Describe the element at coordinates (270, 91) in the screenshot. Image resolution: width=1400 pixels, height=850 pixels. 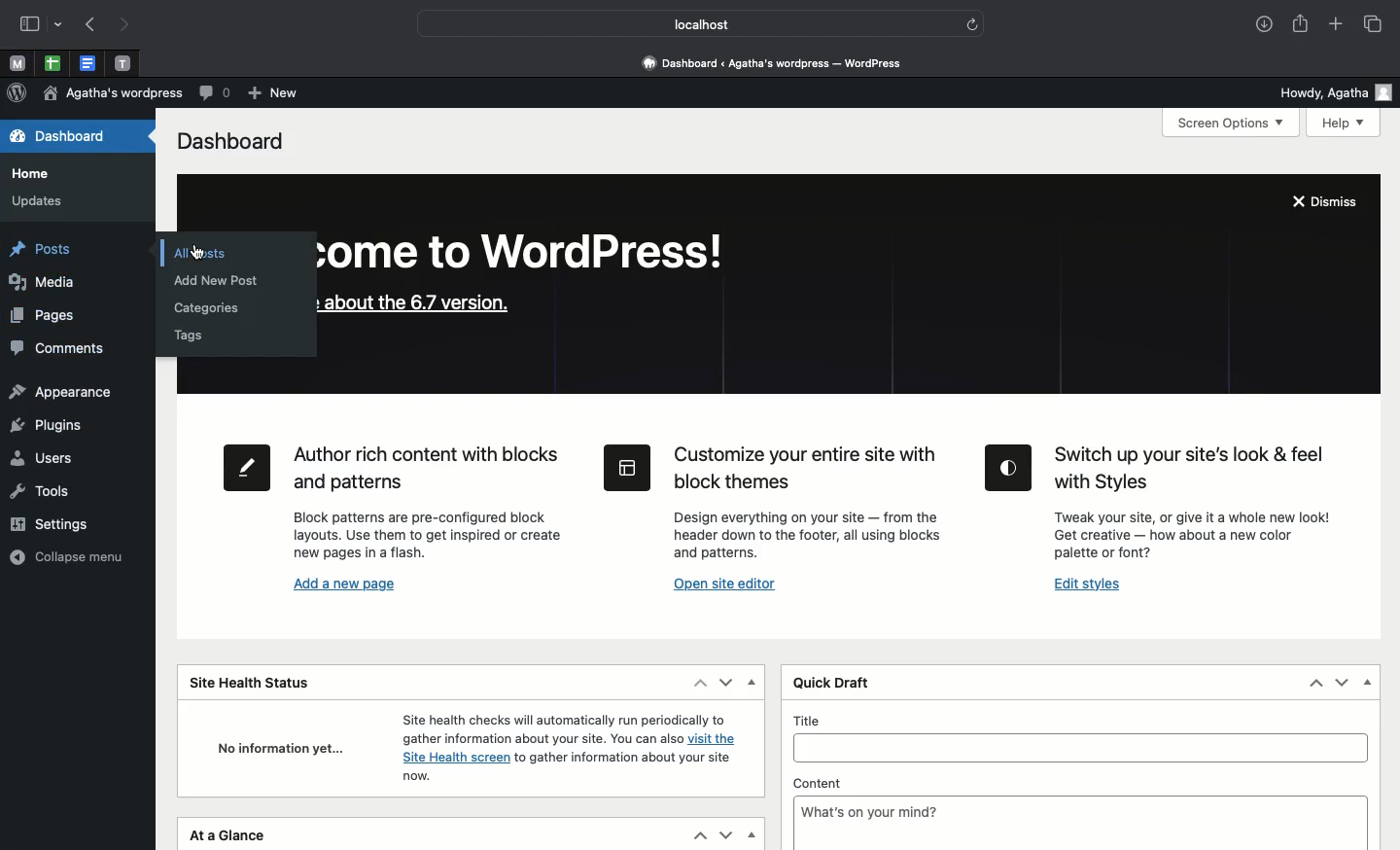
I see `New` at that location.